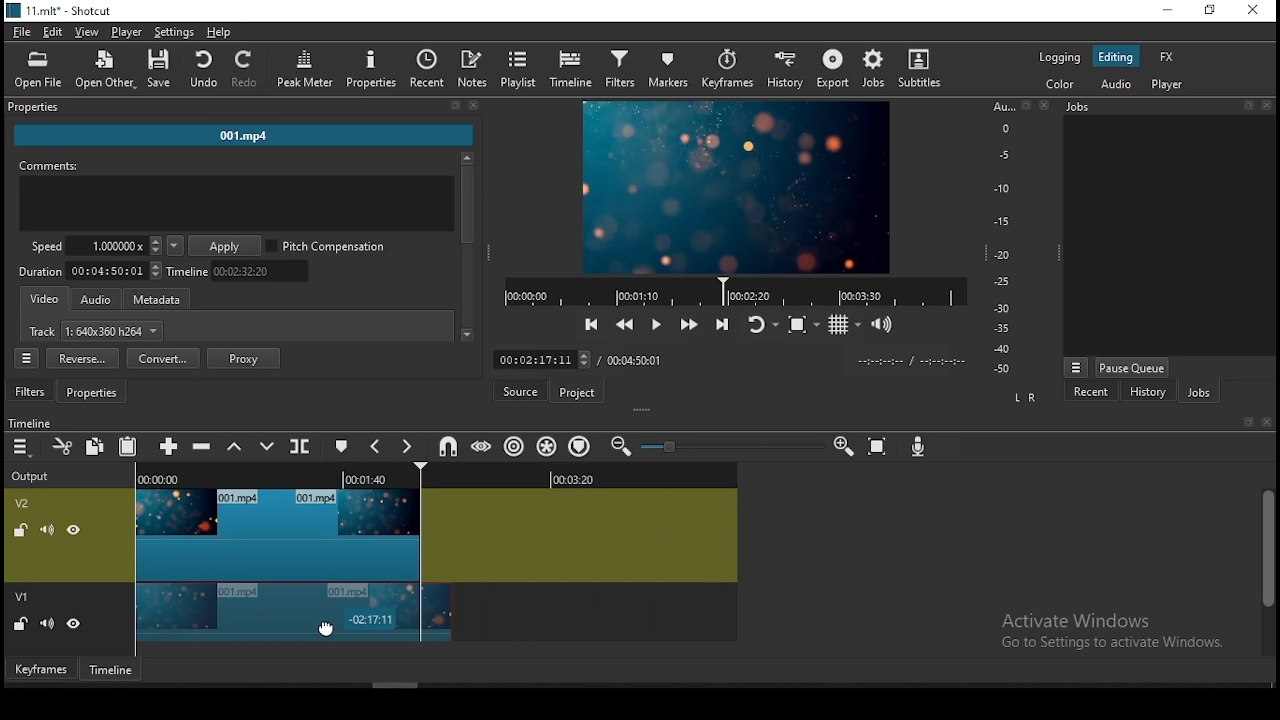 The image size is (1280, 720). Describe the element at coordinates (1115, 57) in the screenshot. I see `editing` at that location.